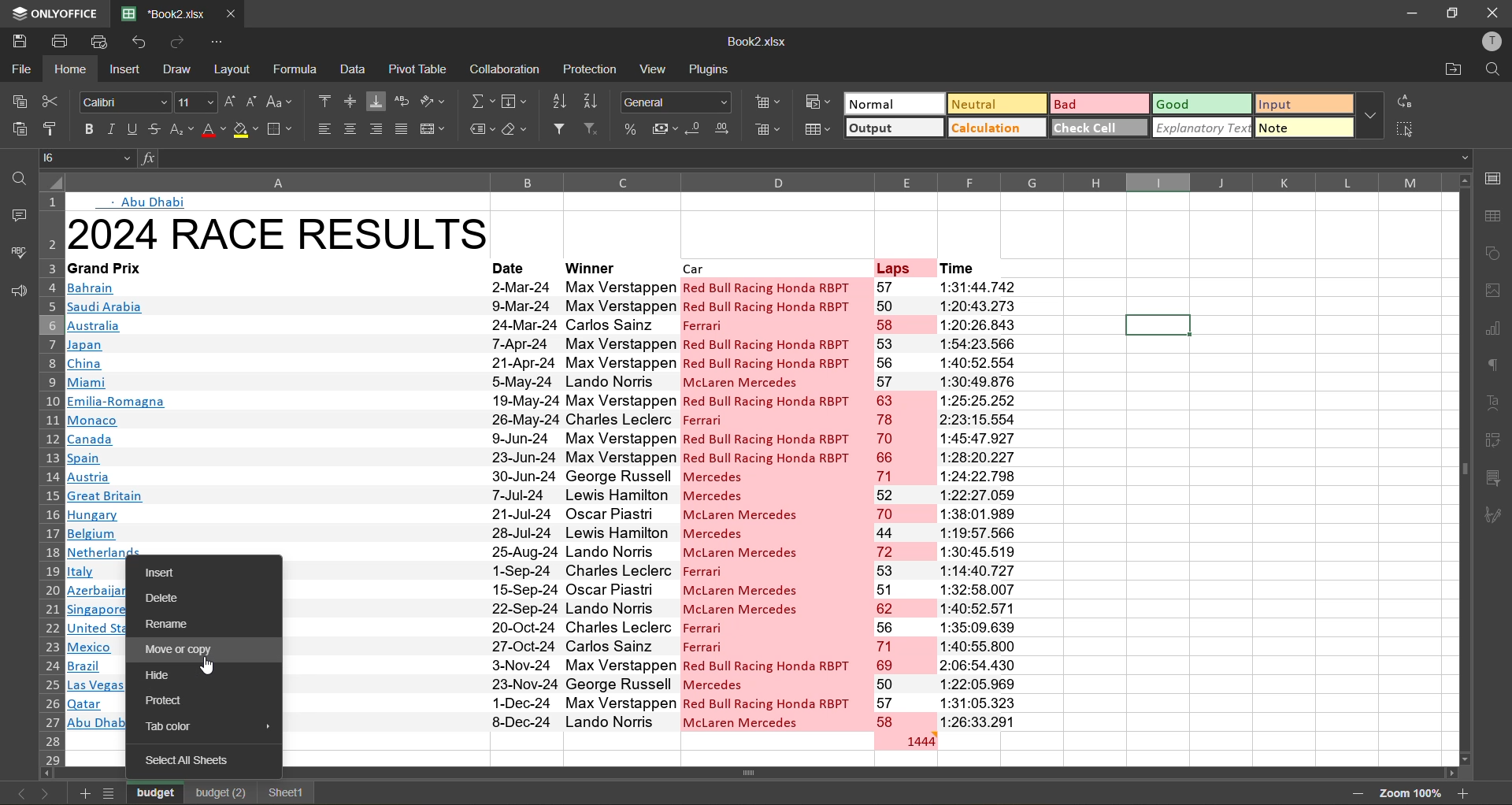 This screenshot has width=1512, height=805. I want to click on slicer, so click(1498, 480).